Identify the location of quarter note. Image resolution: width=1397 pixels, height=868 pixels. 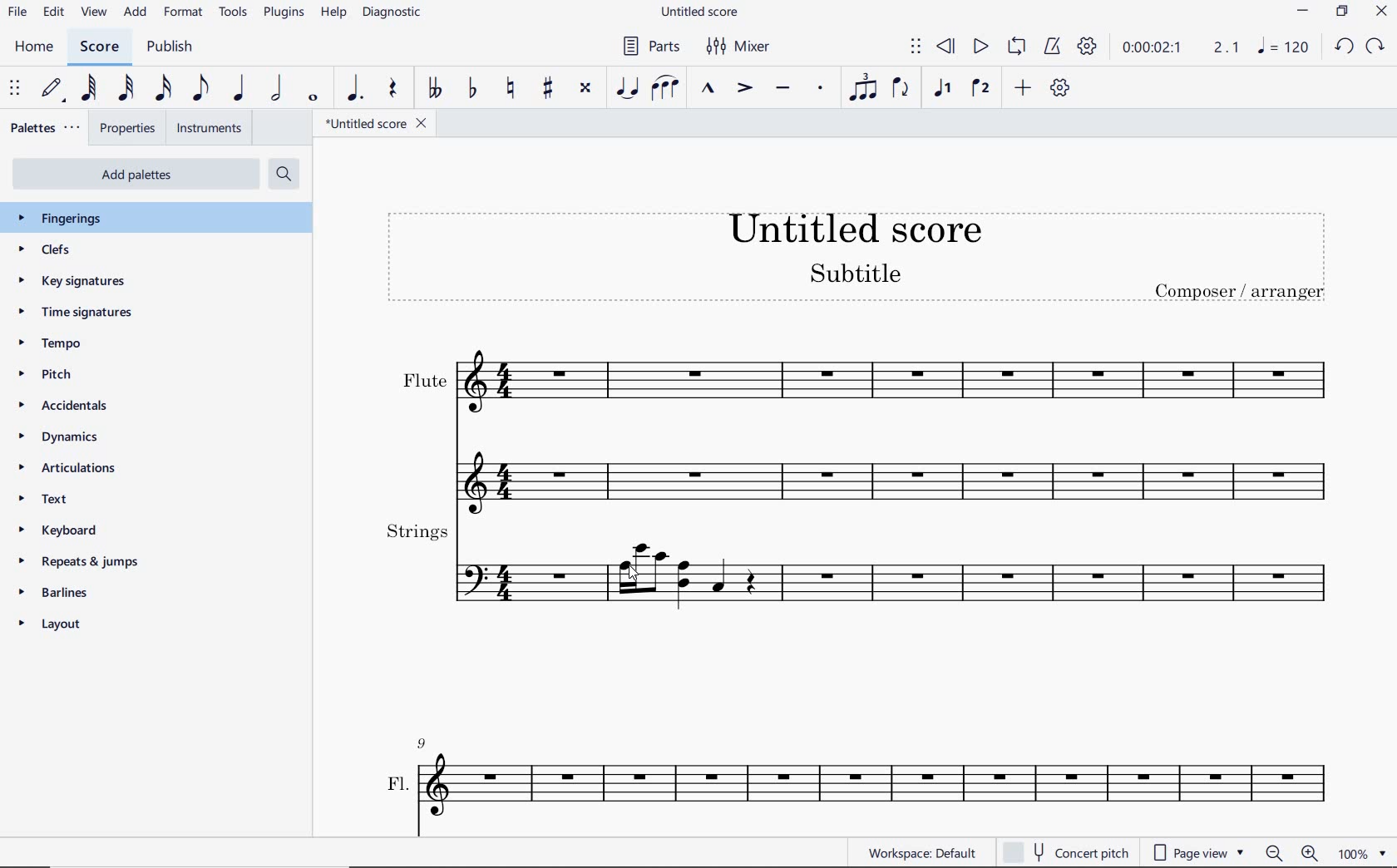
(241, 89).